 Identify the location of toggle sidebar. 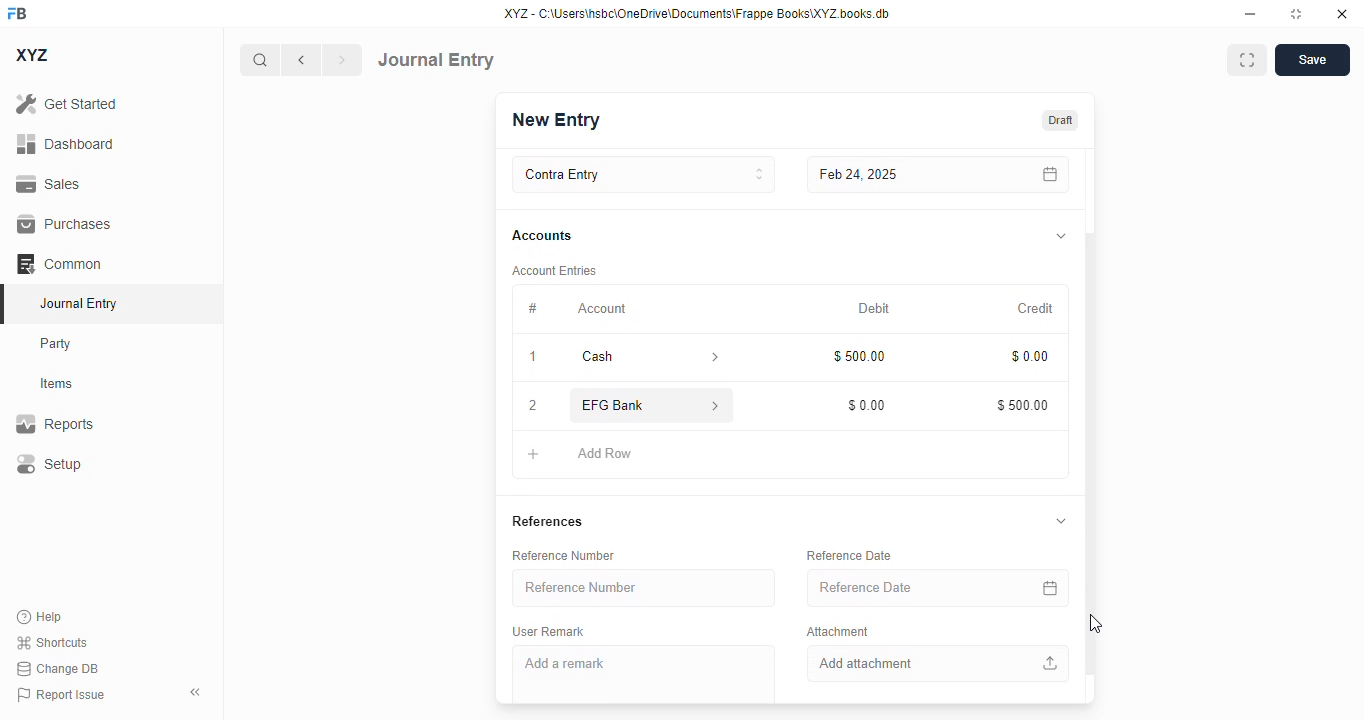
(197, 692).